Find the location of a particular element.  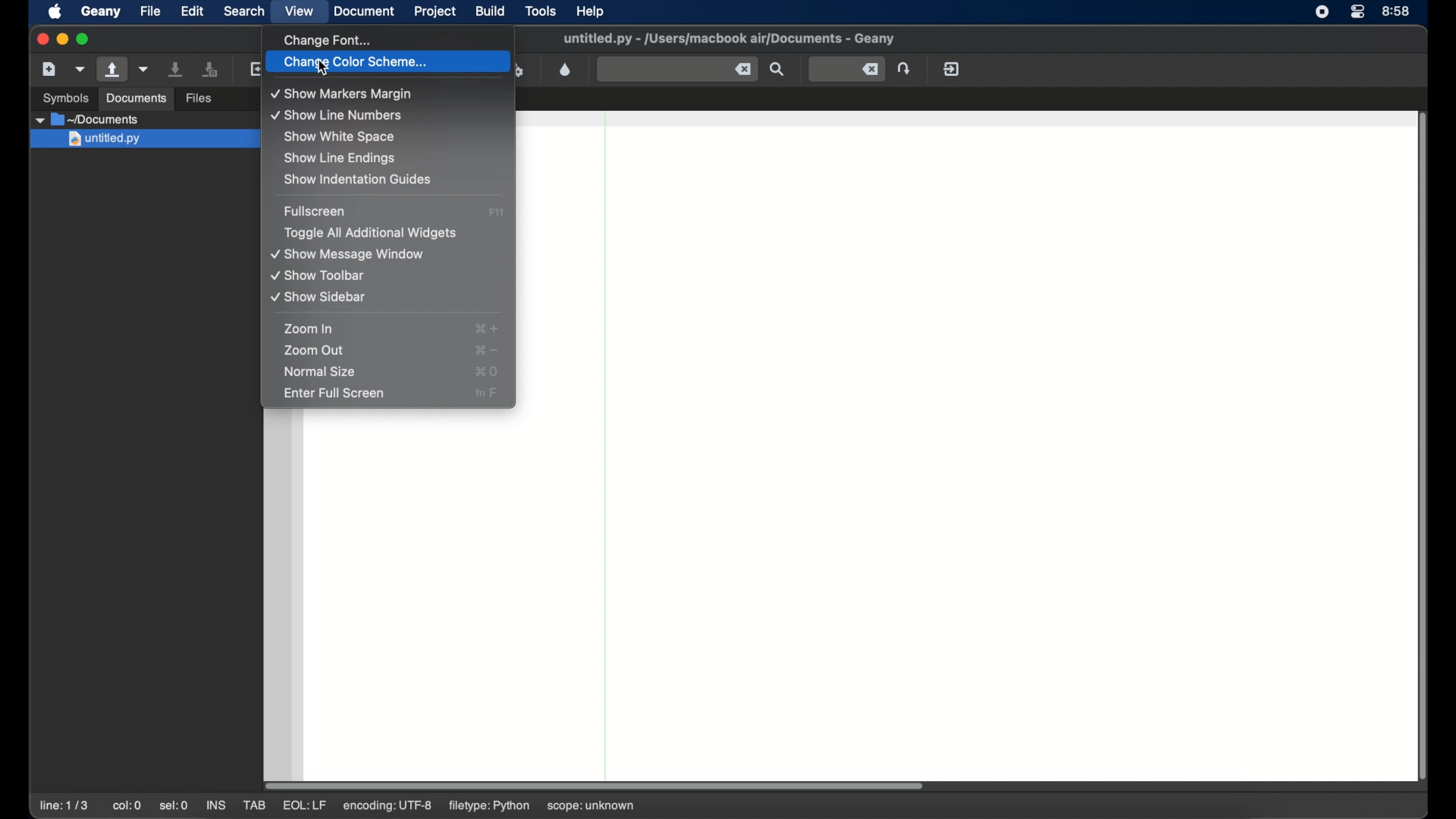

screen recorder icon is located at coordinates (1323, 12).